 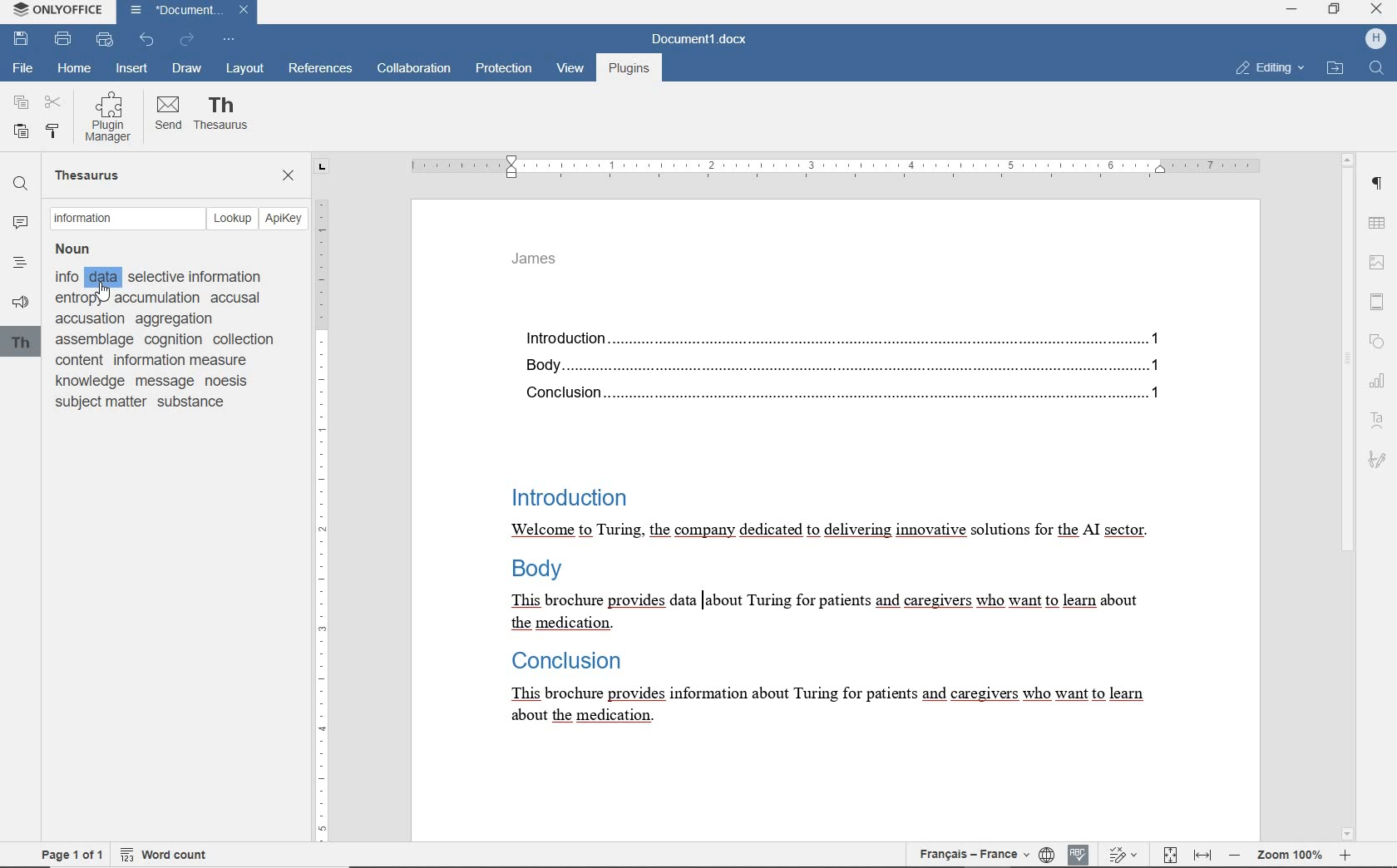 I want to click on RULER, so click(x=327, y=500).